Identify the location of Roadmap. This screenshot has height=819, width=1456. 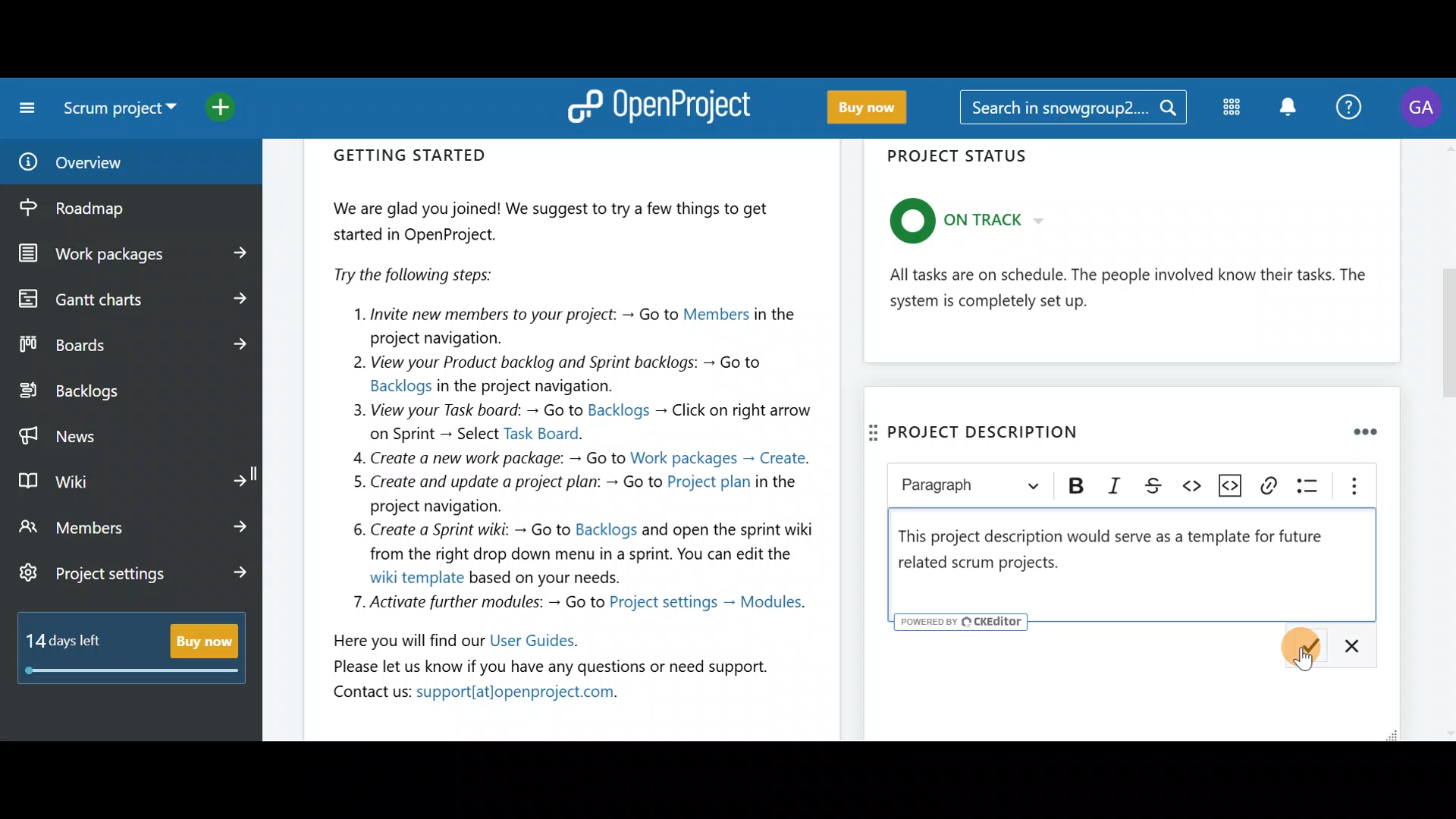
(105, 209).